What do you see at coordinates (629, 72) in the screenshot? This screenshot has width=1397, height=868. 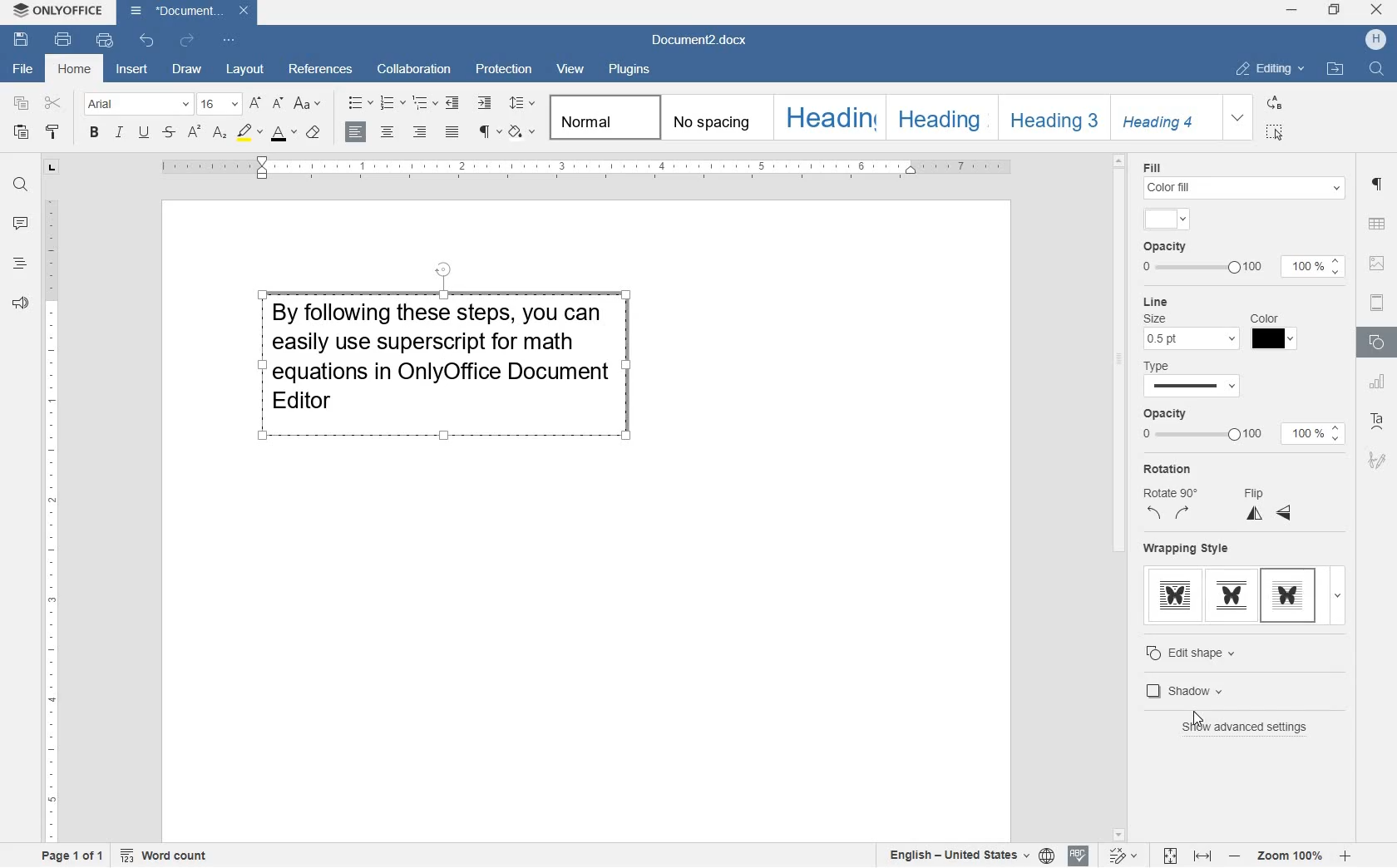 I see `plugins` at bounding box center [629, 72].